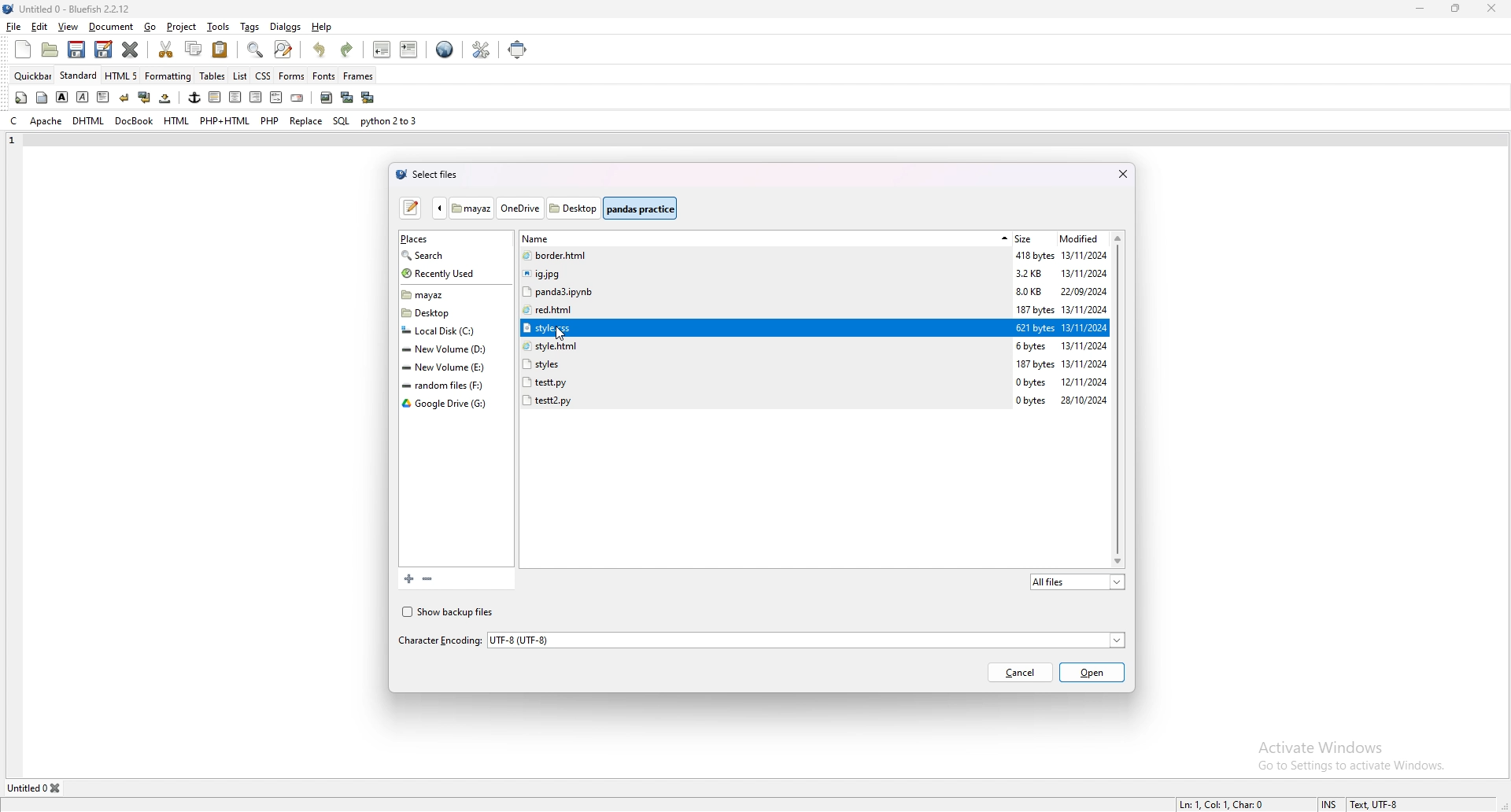 The image size is (1511, 812). Describe the element at coordinates (763, 327) in the screenshot. I see `selected file` at that location.